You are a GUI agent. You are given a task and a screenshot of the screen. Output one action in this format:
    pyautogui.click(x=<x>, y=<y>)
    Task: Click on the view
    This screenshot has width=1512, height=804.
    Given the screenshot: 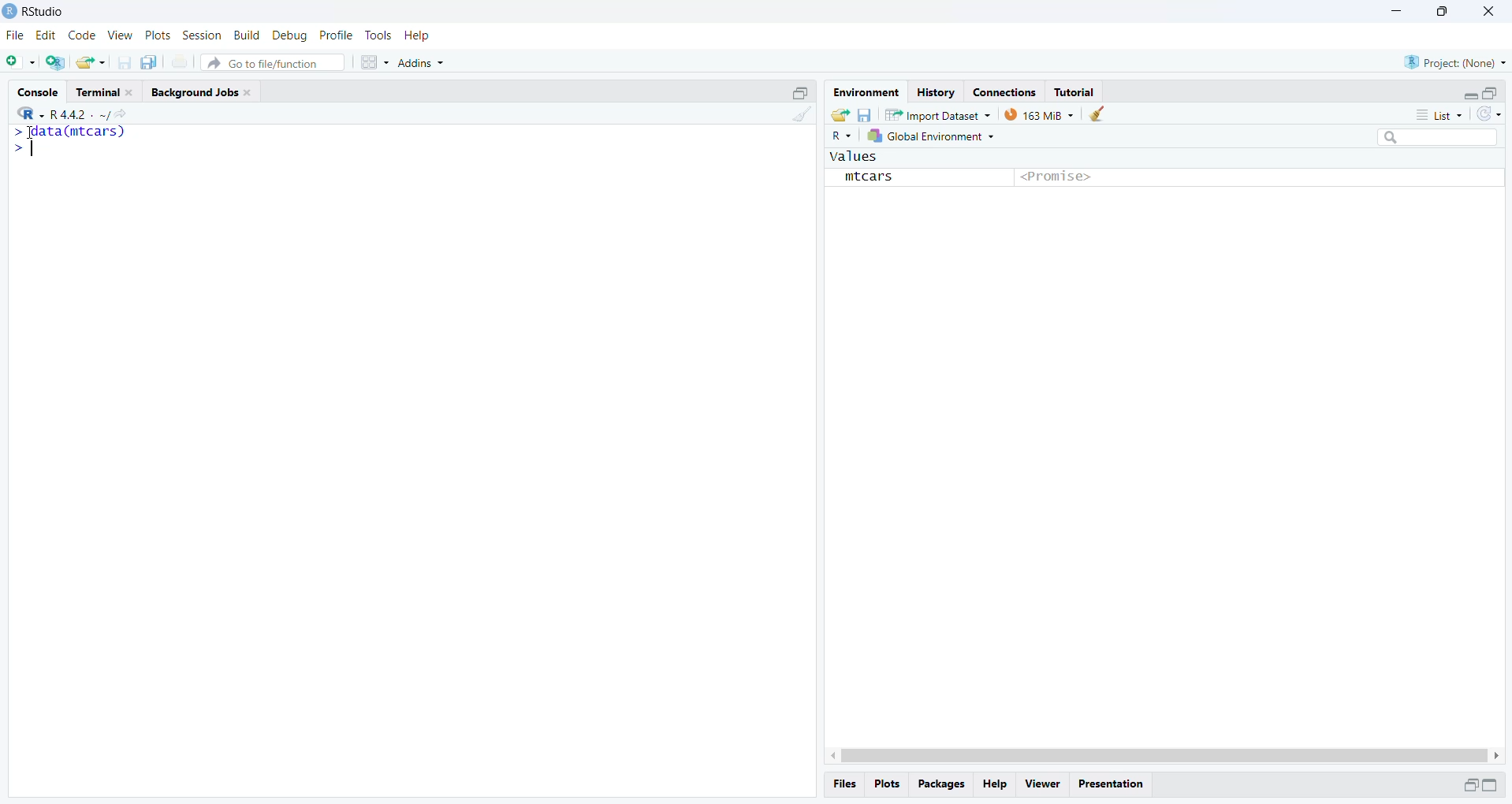 What is the action you would take?
    pyautogui.click(x=121, y=35)
    